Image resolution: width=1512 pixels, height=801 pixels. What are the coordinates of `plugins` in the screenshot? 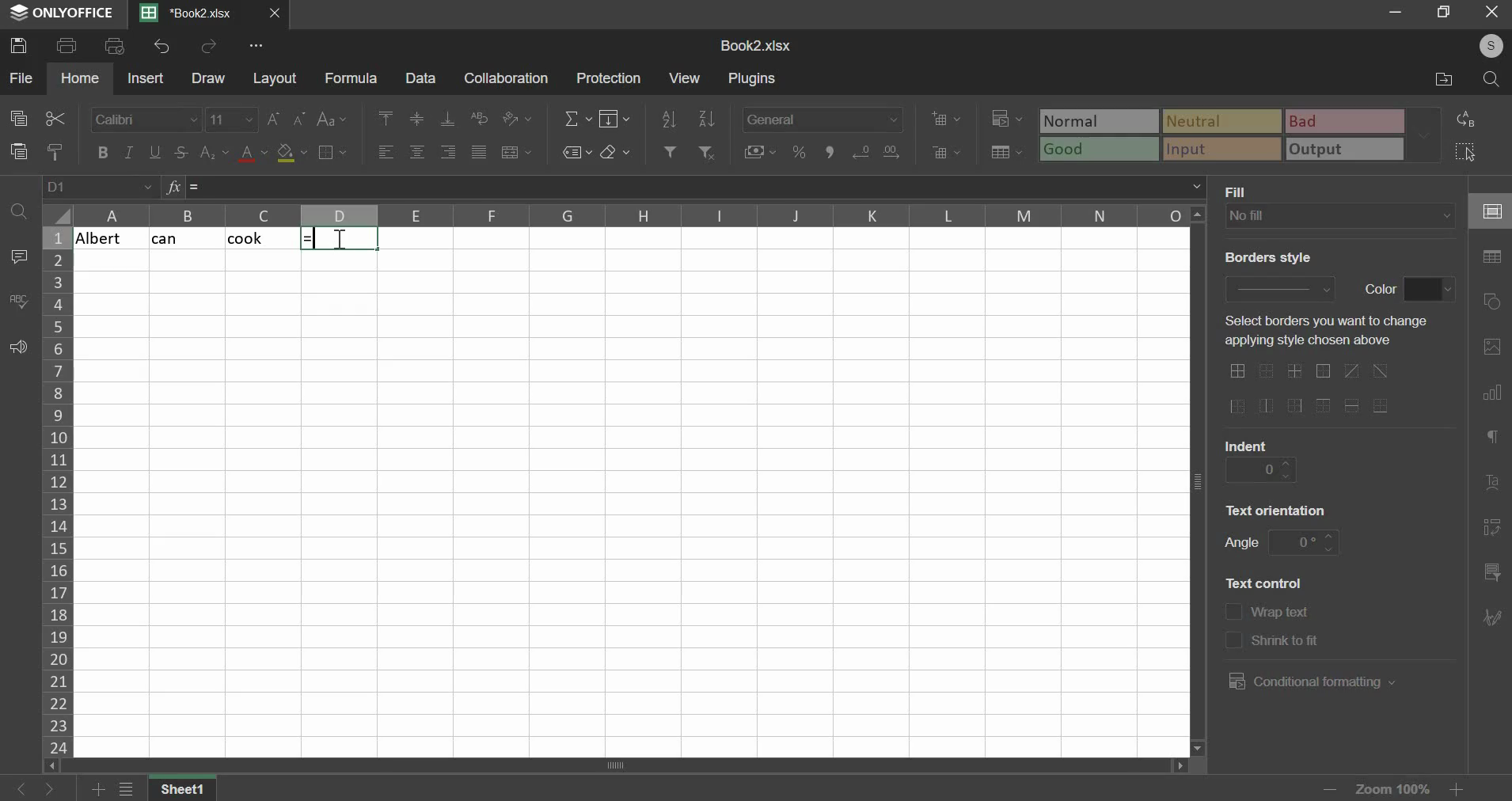 It's located at (754, 79).